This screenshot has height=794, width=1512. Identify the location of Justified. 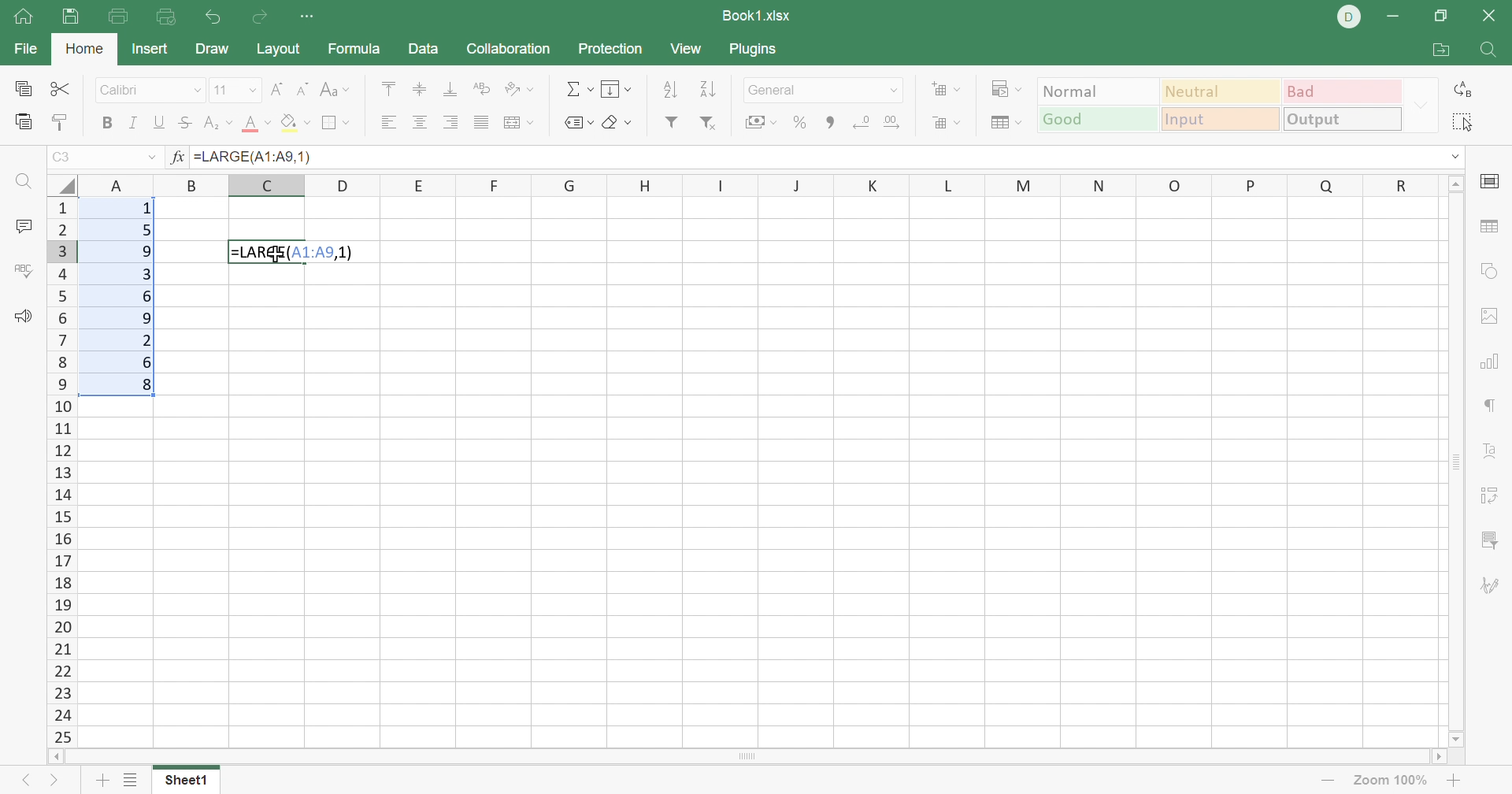
(480, 123).